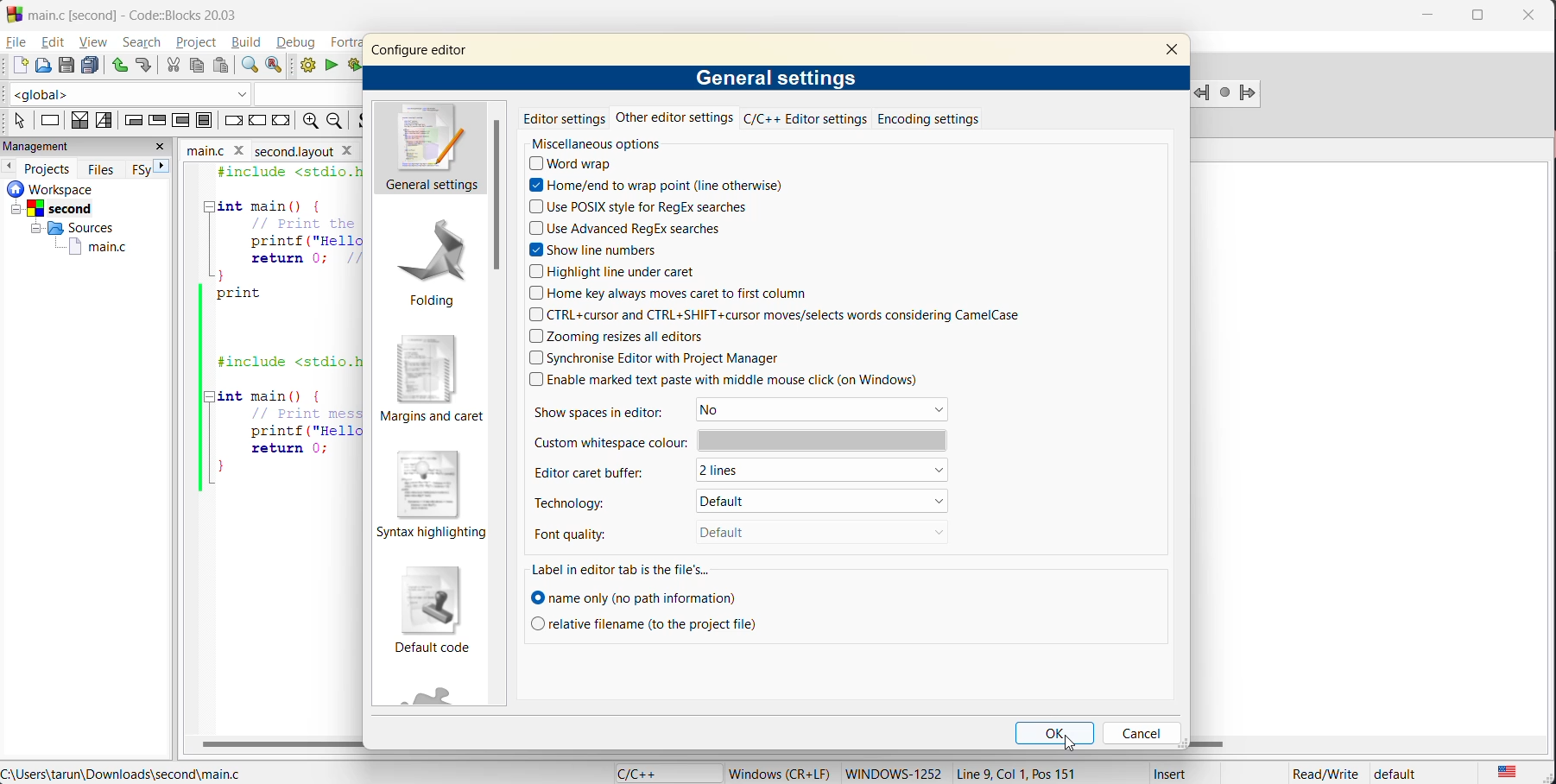  What do you see at coordinates (52, 167) in the screenshot?
I see `projects` at bounding box center [52, 167].